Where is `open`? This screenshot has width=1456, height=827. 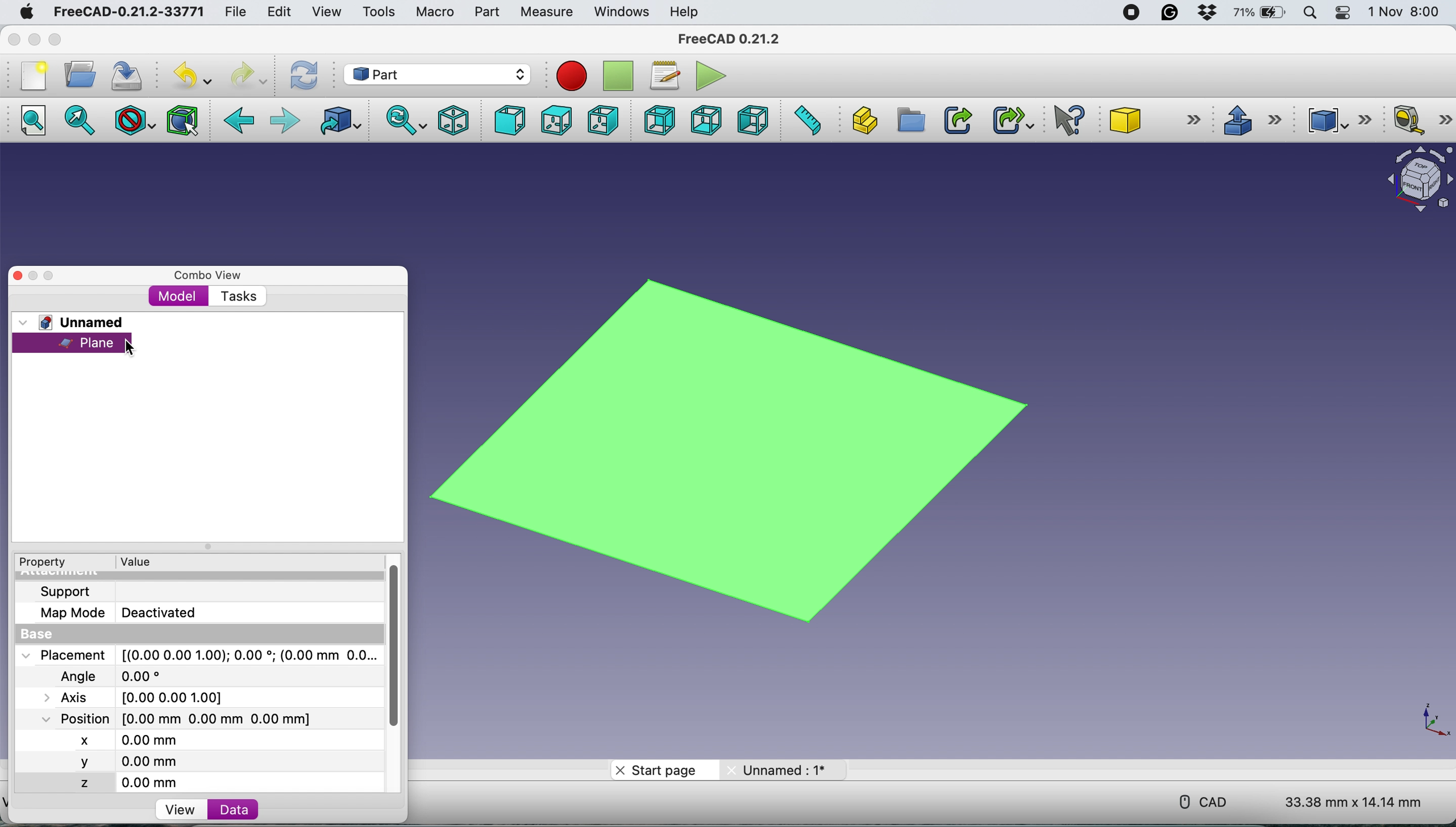 open is located at coordinates (80, 74).